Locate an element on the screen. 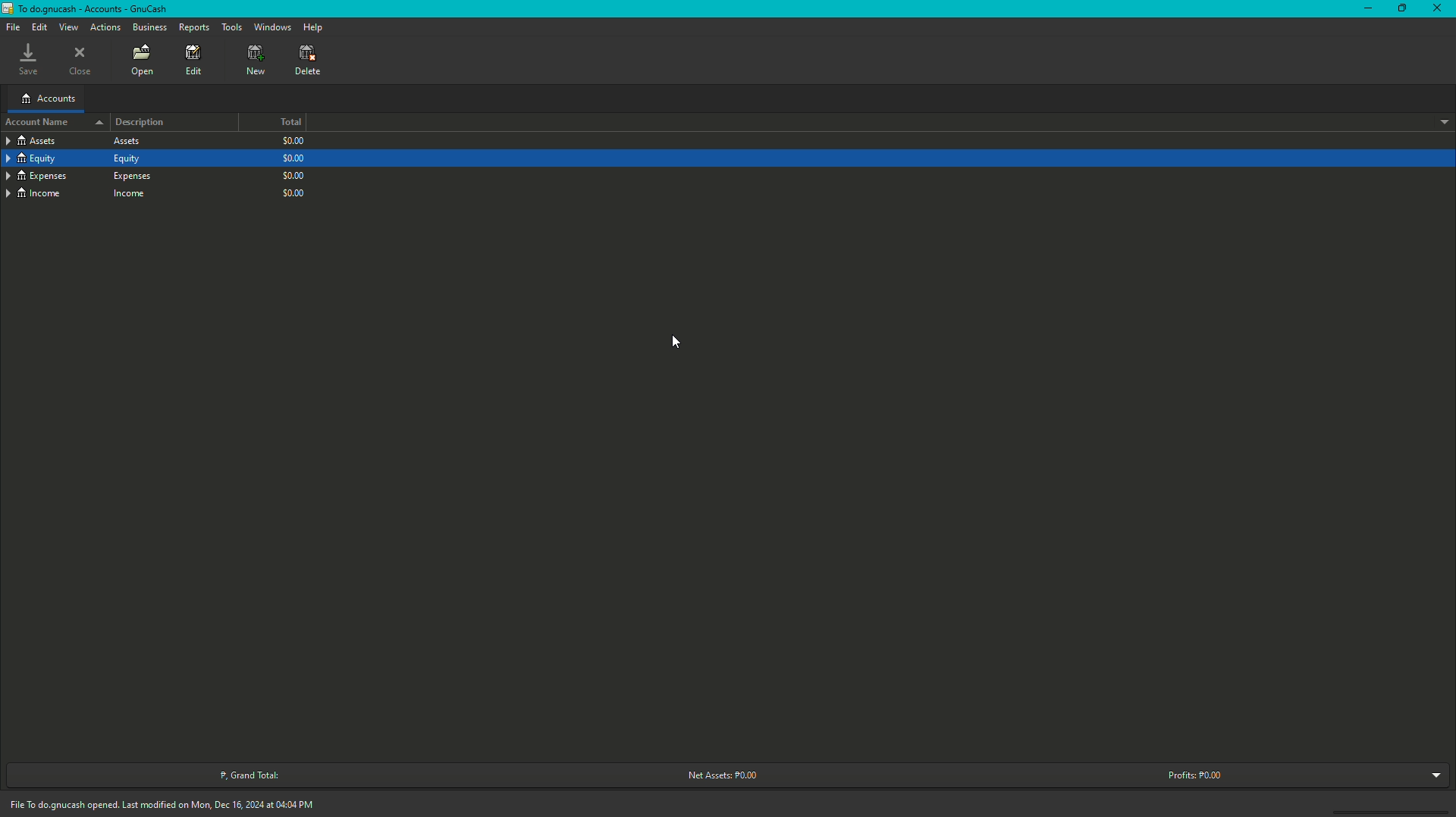 This screenshot has width=1456, height=817. Business is located at coordinates (152, 27).